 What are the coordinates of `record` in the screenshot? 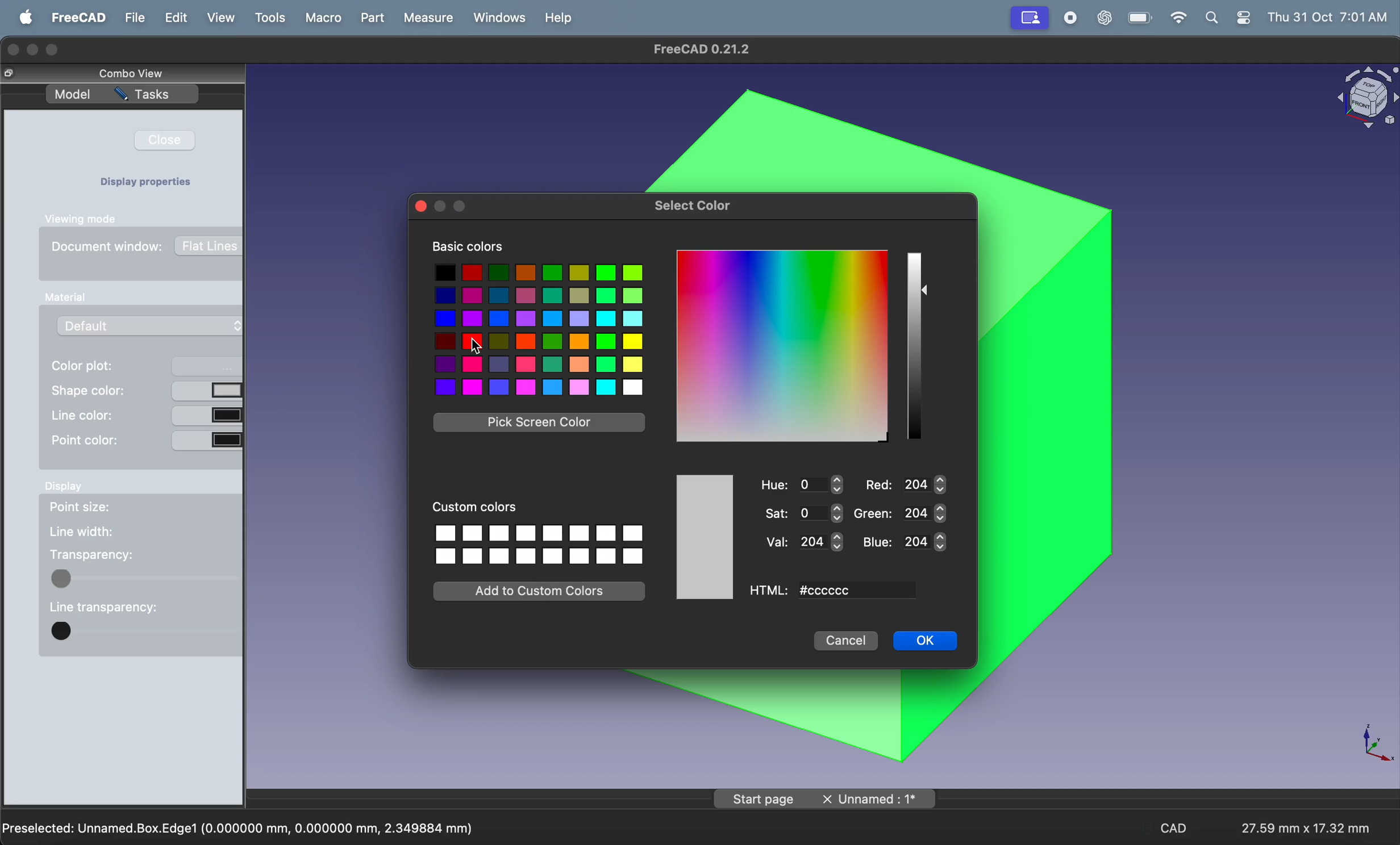 It's located at (1069, 19).